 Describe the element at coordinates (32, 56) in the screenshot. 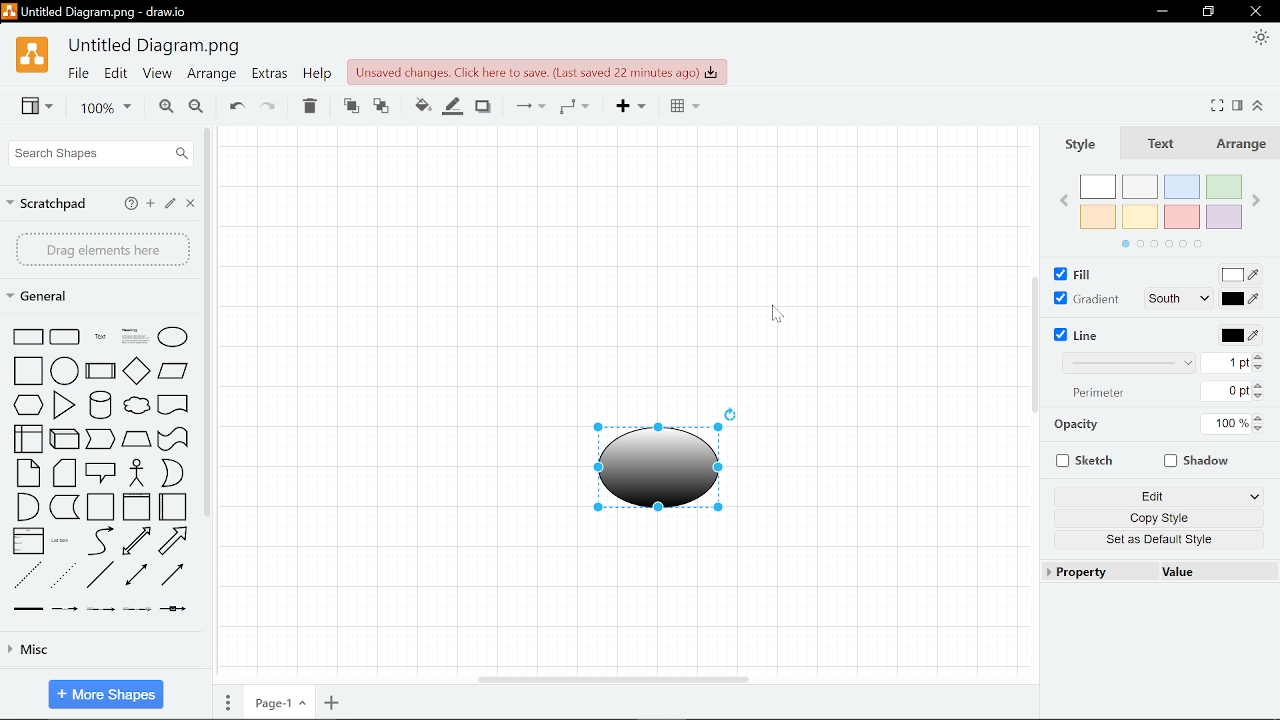

I see `Draw.io logo` at that location.